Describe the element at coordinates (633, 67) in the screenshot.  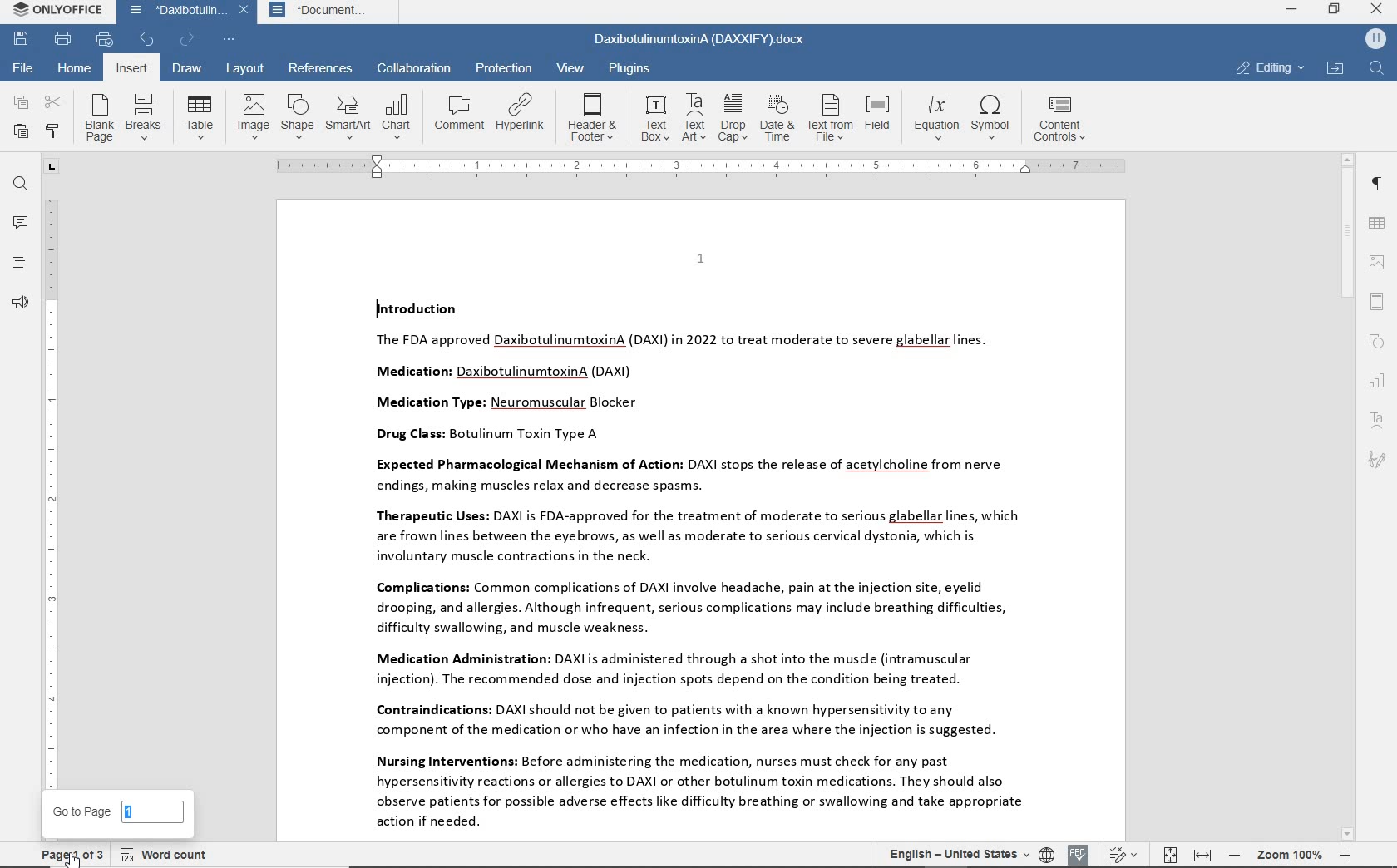
I see `plugins` at that location.